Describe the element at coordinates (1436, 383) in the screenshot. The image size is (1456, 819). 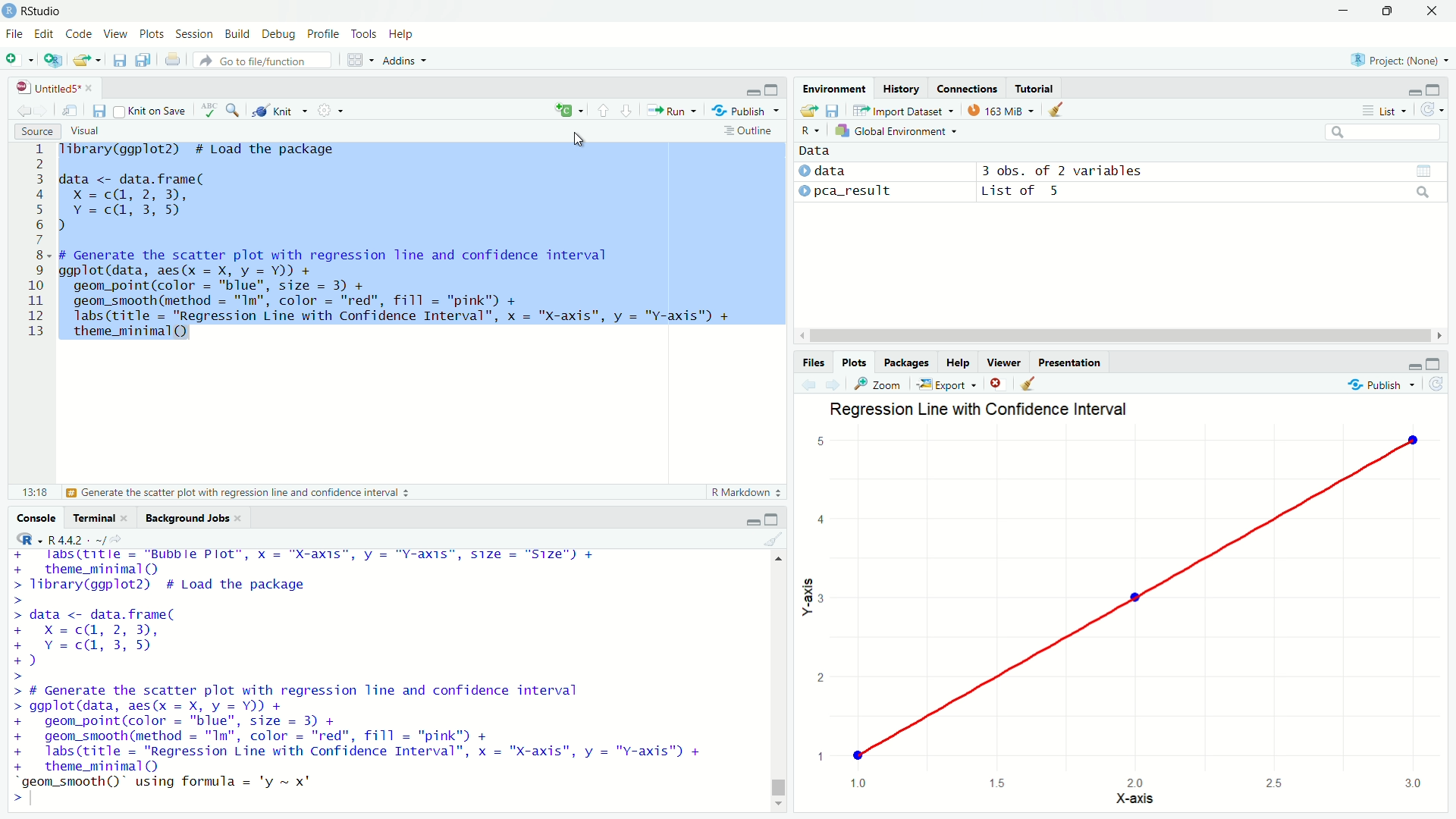
I see `Refresh current plot` at that location.